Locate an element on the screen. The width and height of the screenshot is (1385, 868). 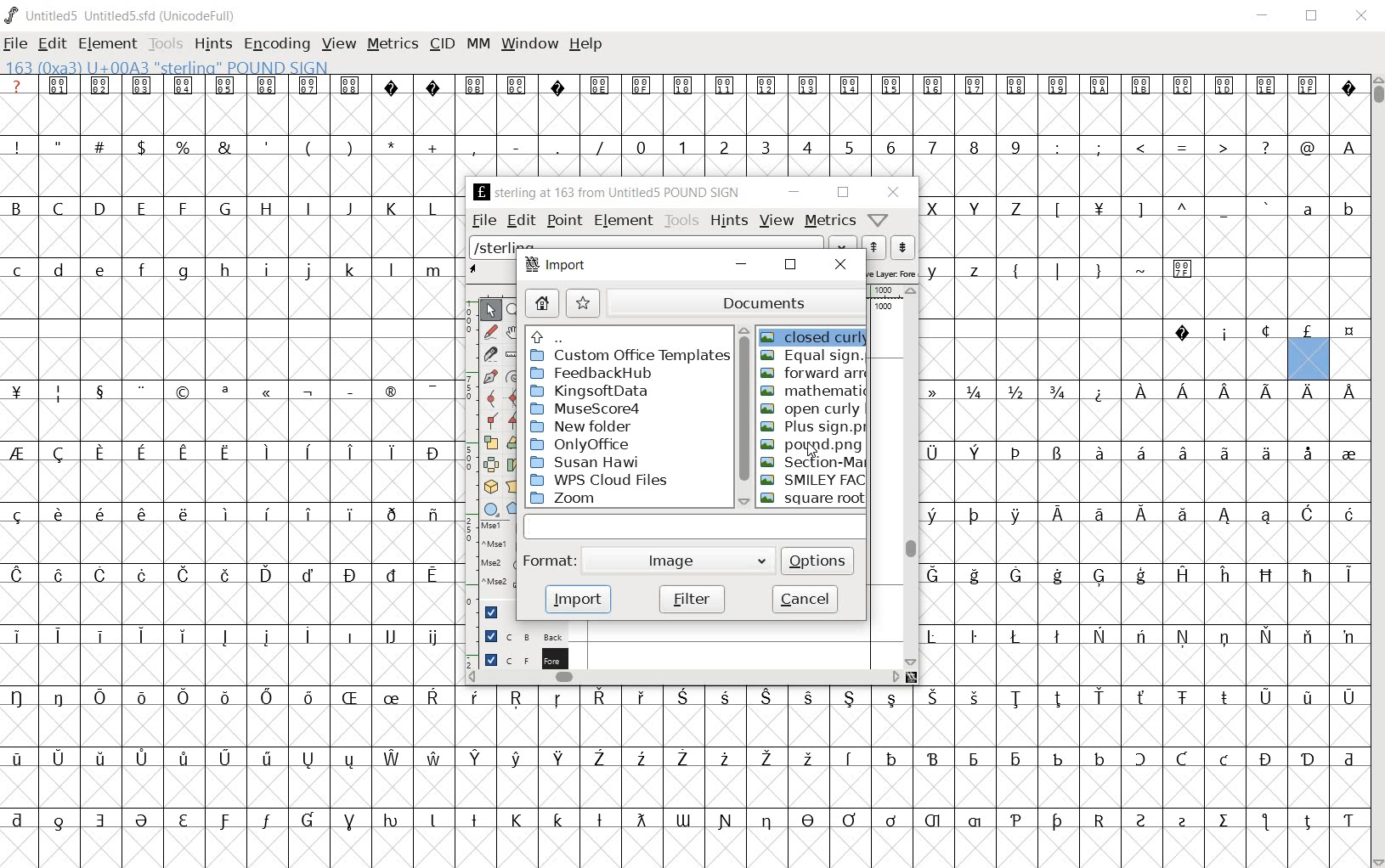
L is located at coordinates (432, 208).